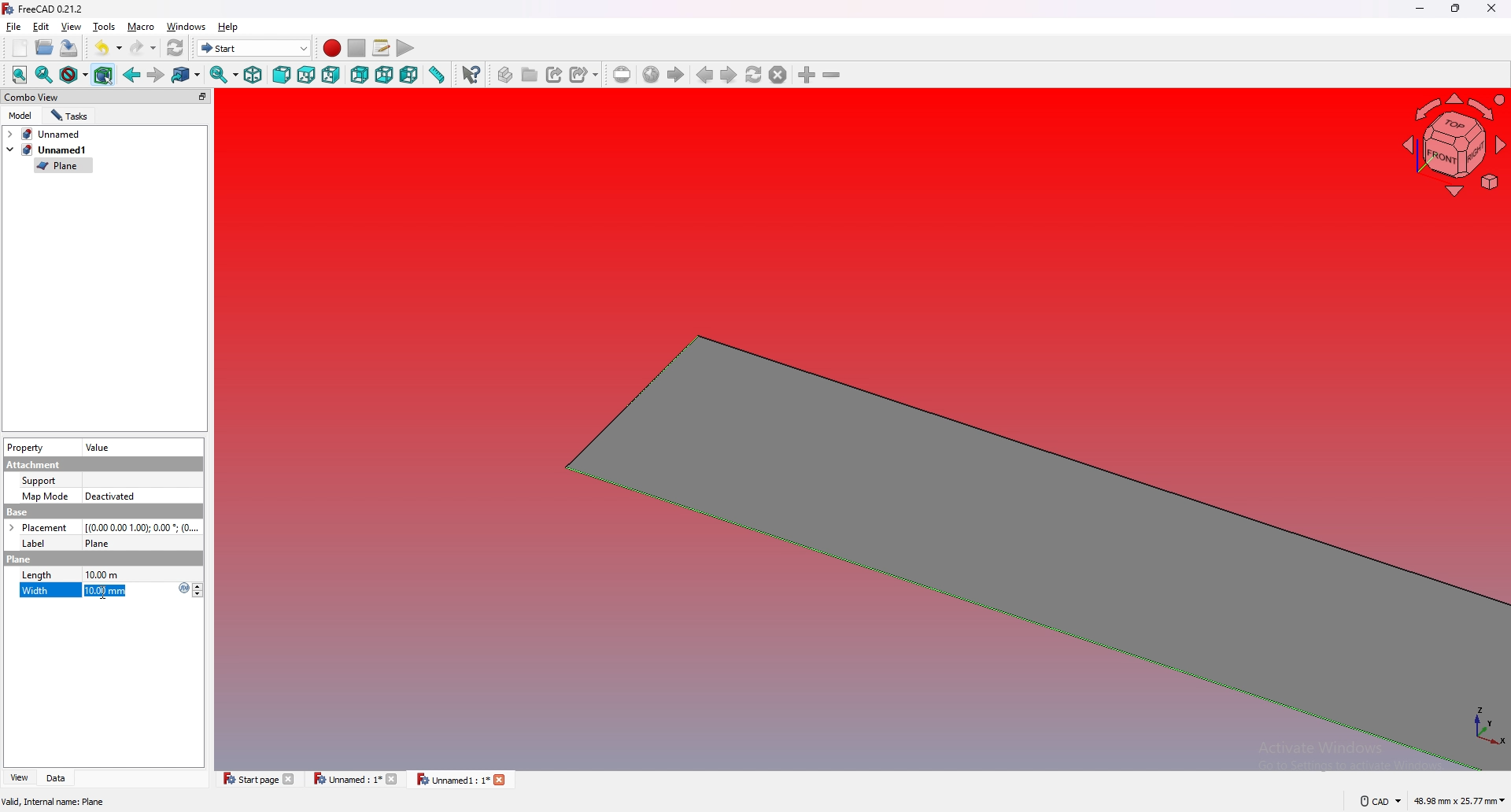  I want to click on top, so click(306, 76).